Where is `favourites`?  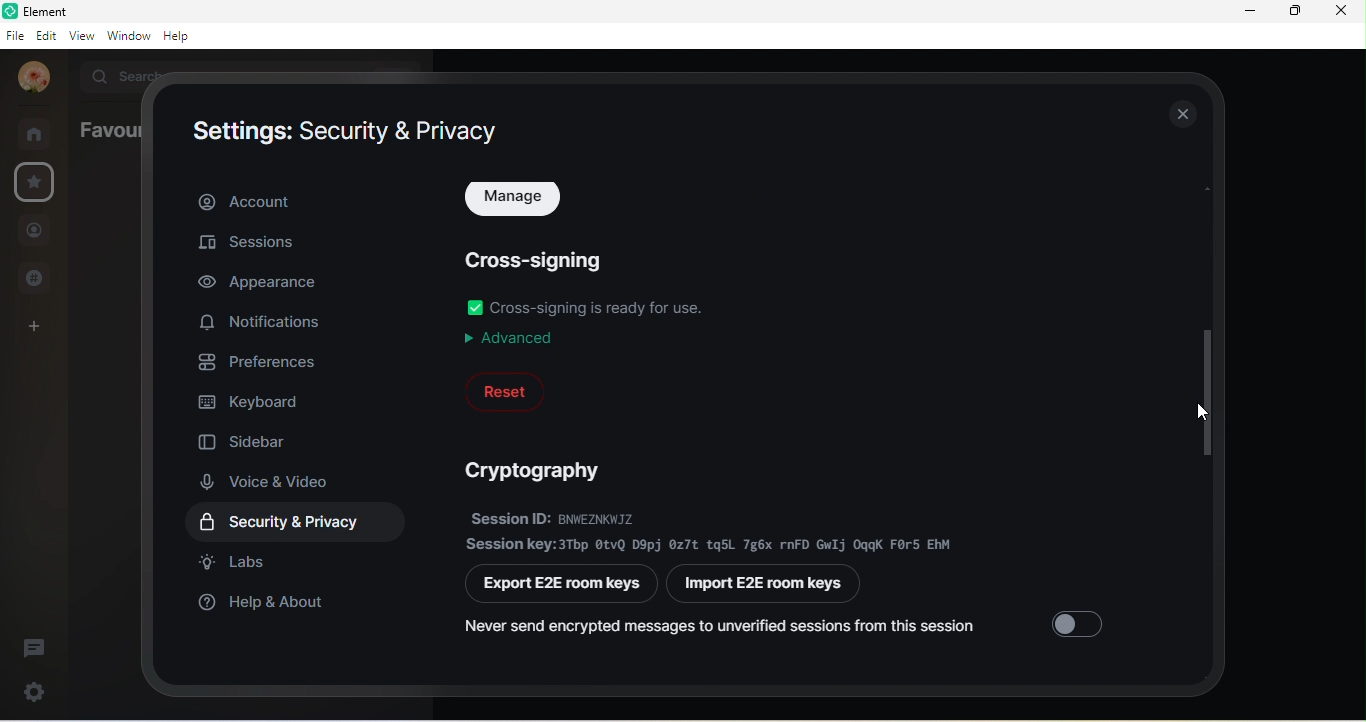
favourites is located at coordinates (35, 183).